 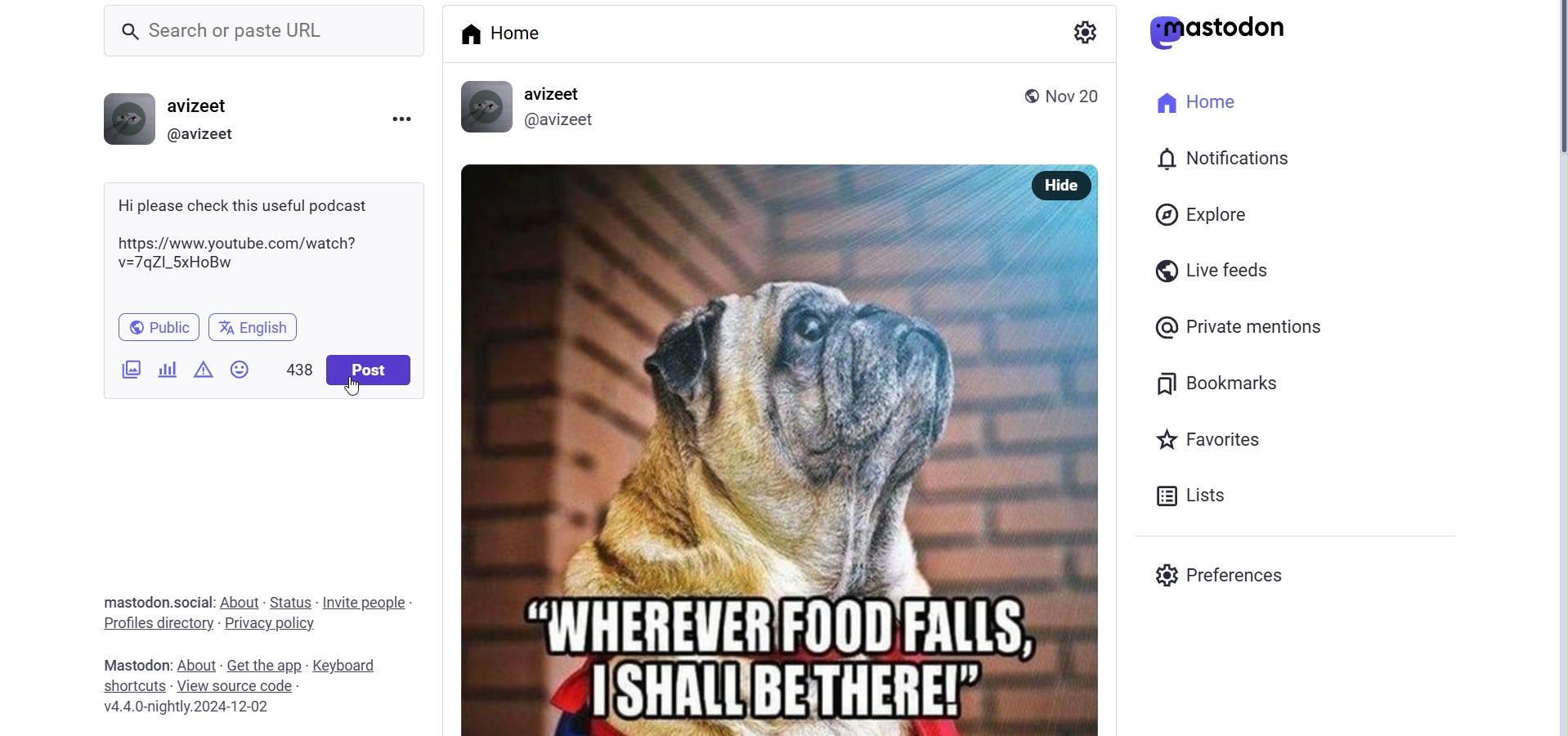 What do you see at coordinates (404, 119) in the screenshot?
I see `menu` at bounding box center [404, 119].